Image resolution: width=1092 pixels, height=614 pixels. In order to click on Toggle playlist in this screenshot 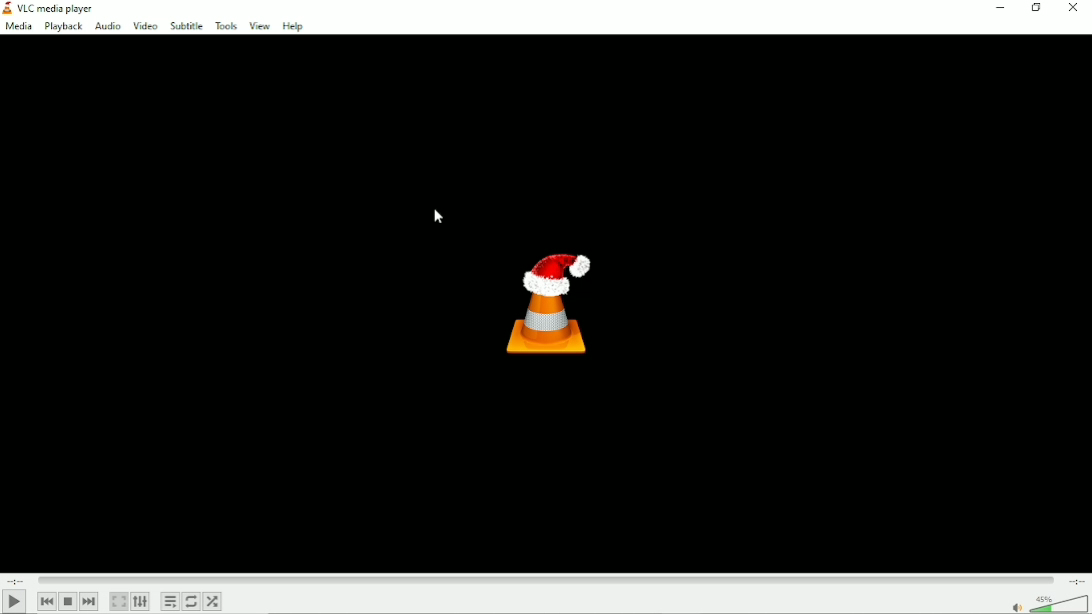, I will do `click(170, 602)`.